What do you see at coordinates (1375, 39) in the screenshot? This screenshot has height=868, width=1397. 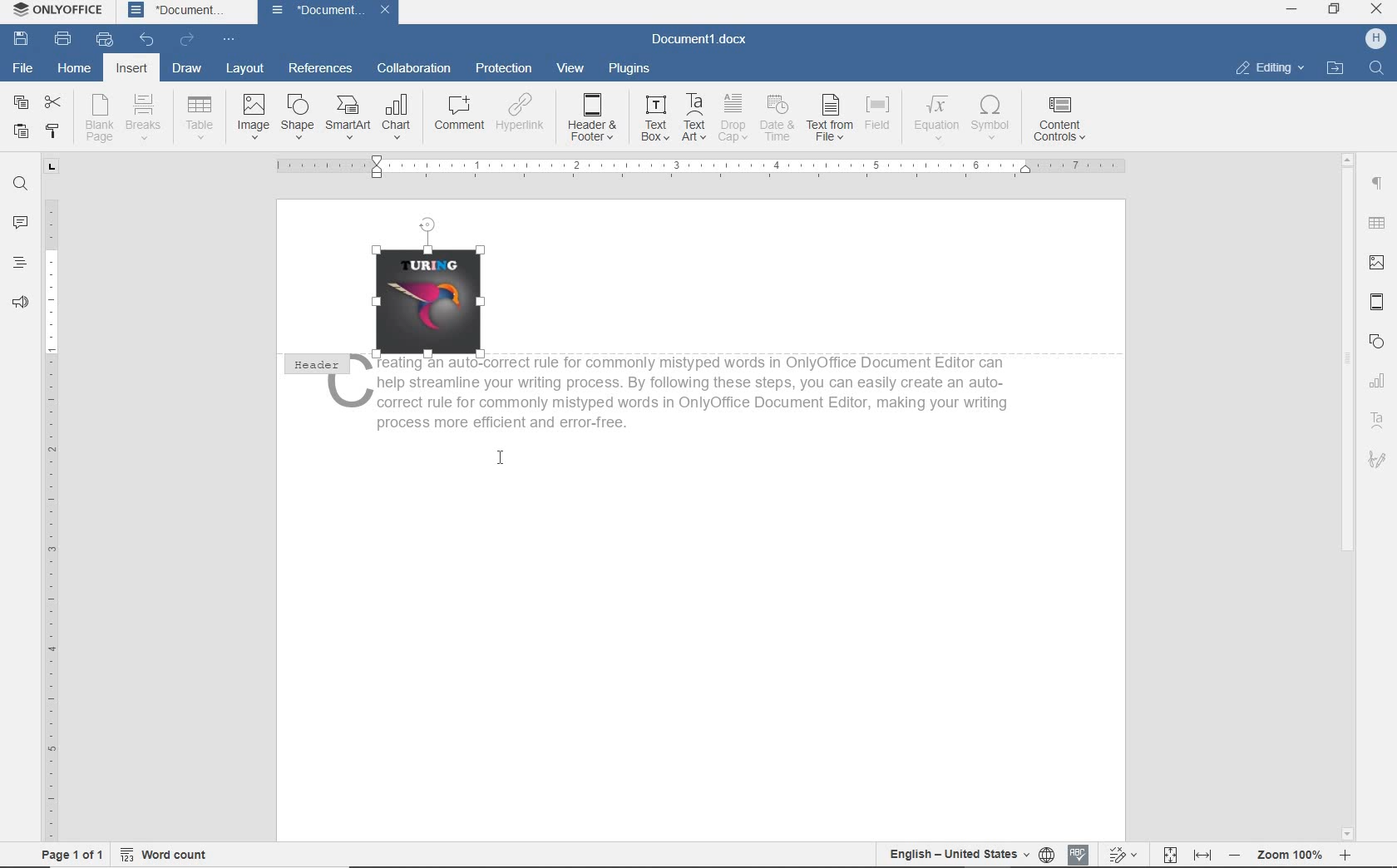 I see `Profile` at bounding box center [1375, 39].